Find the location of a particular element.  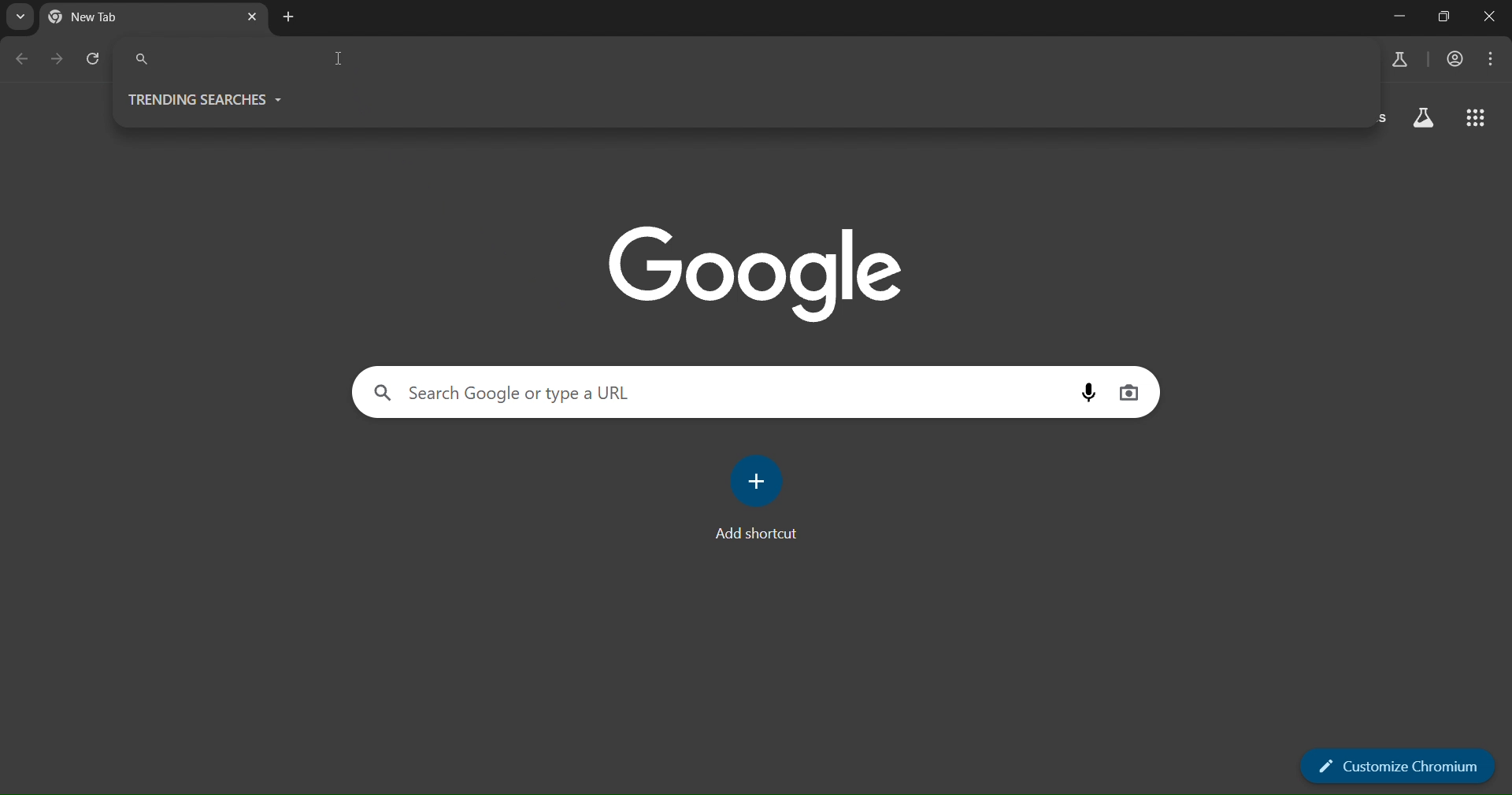

Search Google or type a URL is located at coordinates (246, 59).